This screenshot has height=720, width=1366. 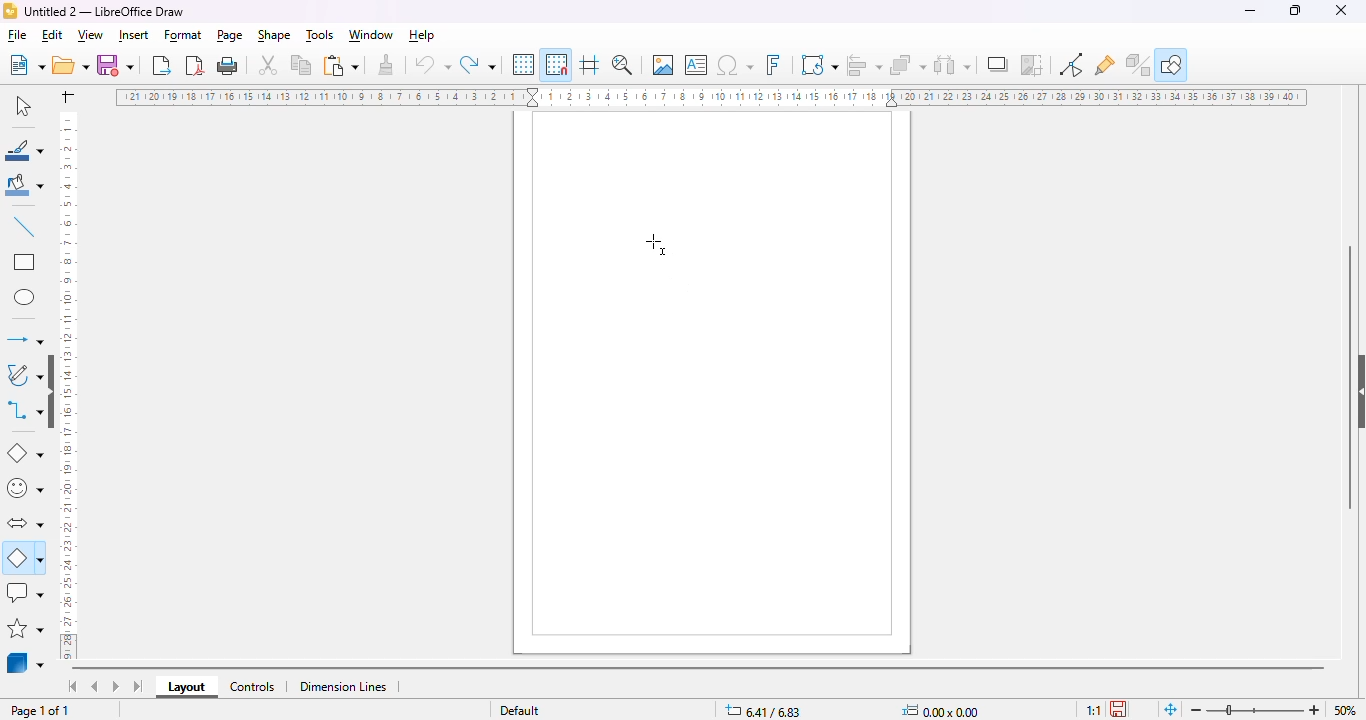 I want to click on dimension lines, so click(x=343, y=687).